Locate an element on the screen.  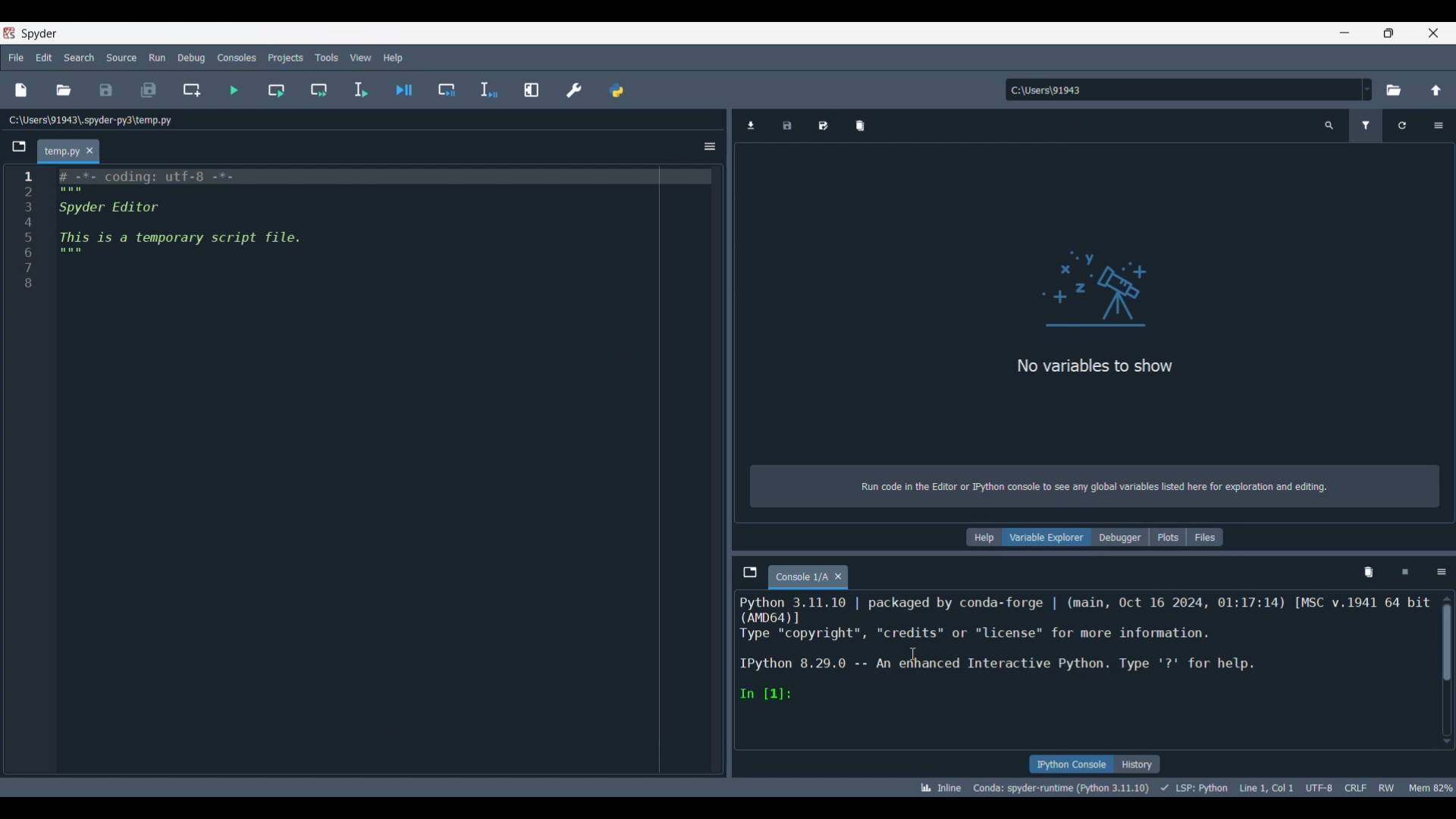
Search menu is located at coordinates (79, 58).